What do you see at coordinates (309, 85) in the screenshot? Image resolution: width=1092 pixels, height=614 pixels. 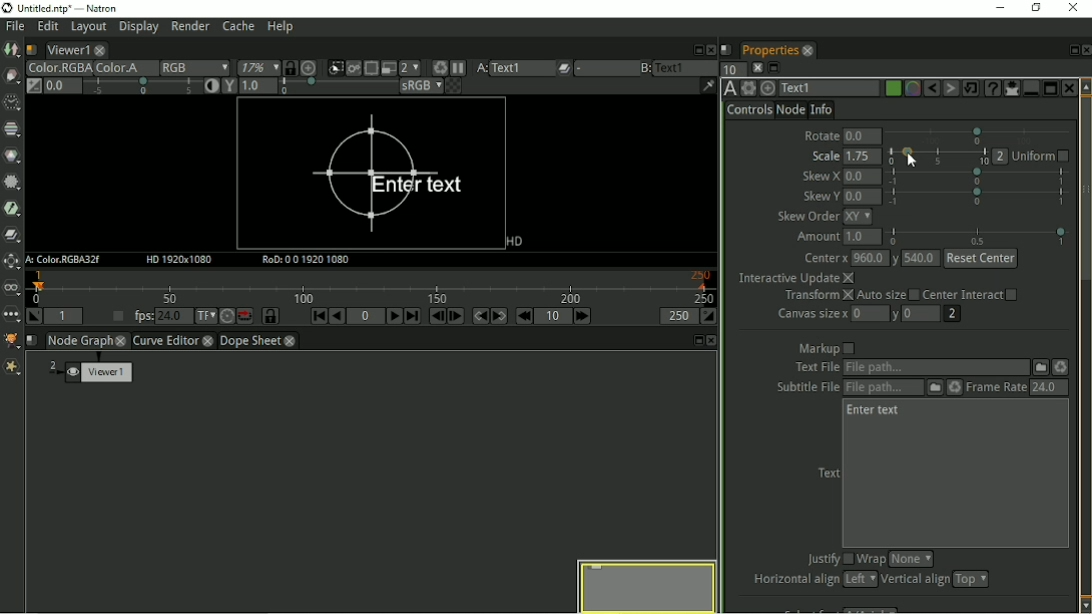 I see `Viewer gamma correction` at bounding box center [309, 85].